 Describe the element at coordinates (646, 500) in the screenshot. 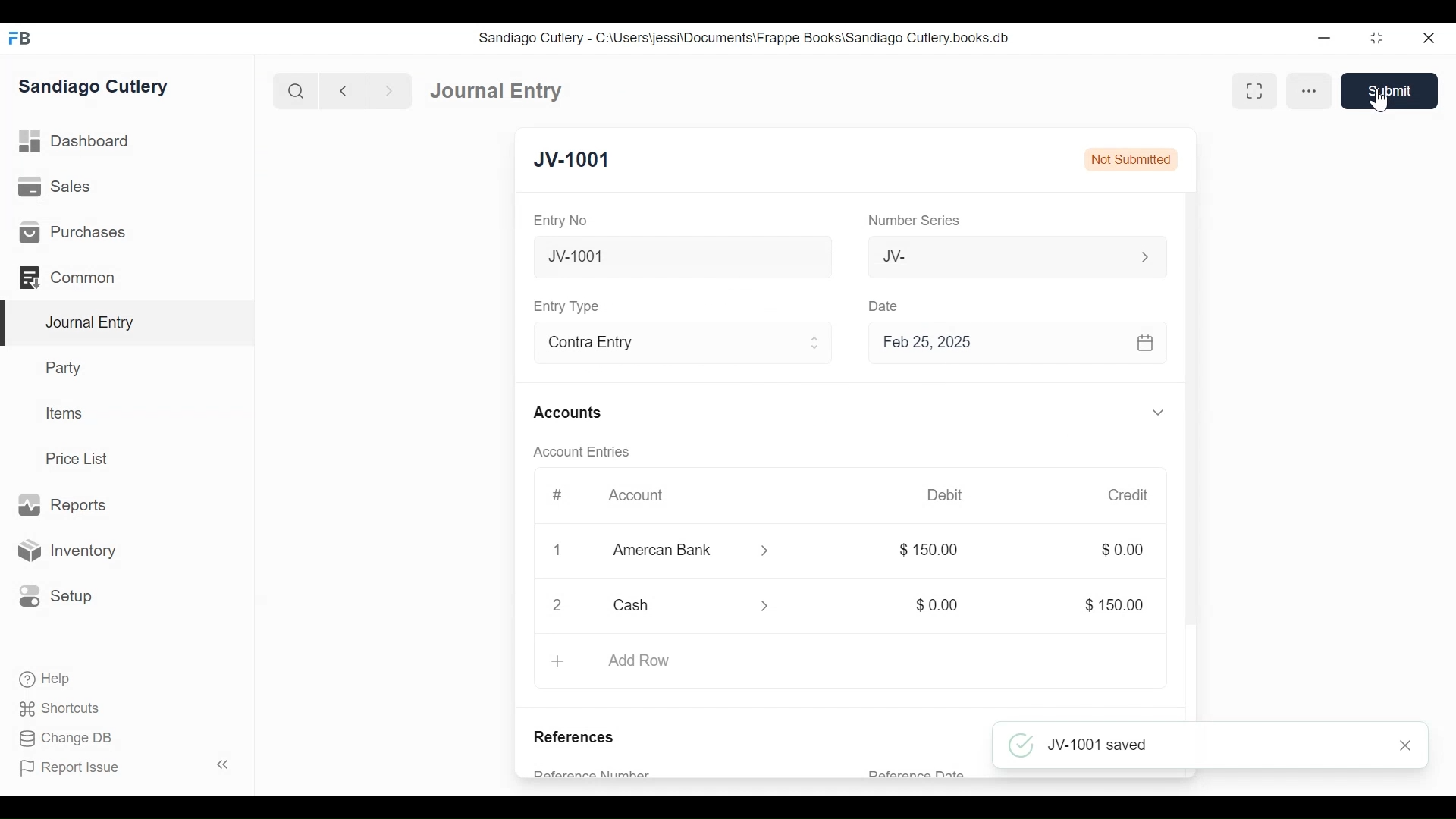

I see `Account` at that location.